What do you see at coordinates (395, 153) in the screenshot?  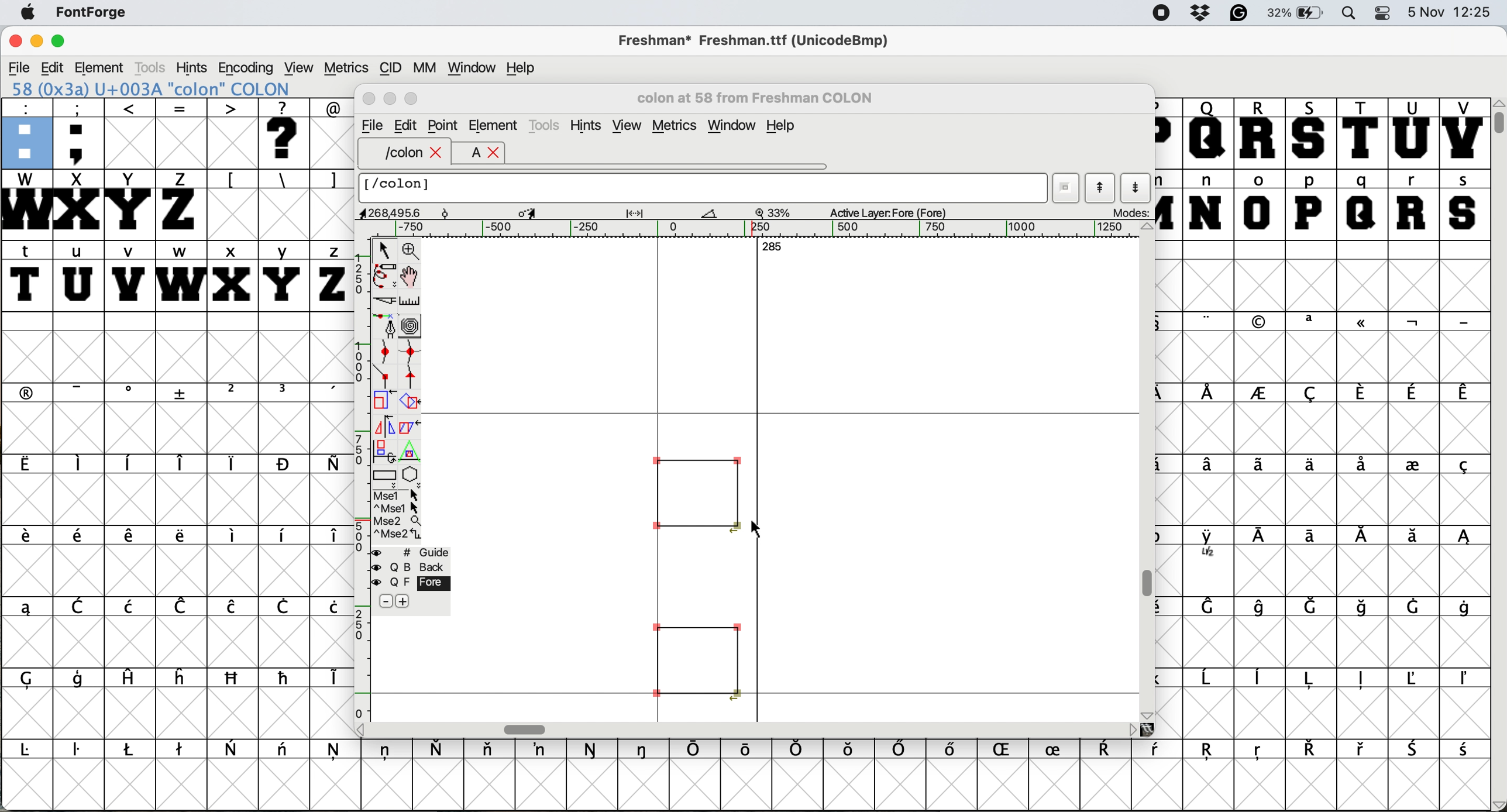 I see `/colon` at bounding box center [395, 153].